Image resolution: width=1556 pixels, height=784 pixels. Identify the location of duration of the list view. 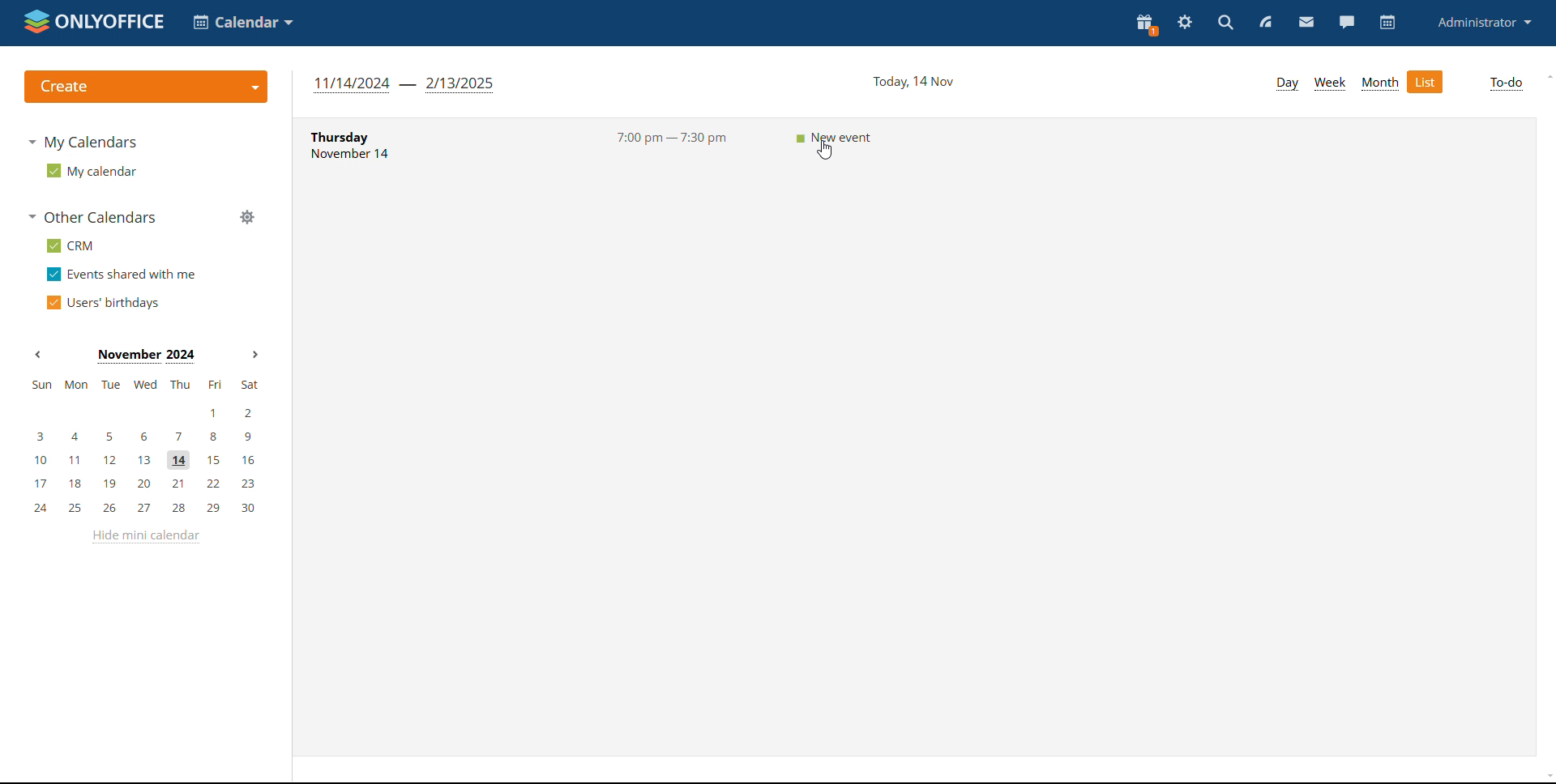
(402, 84).